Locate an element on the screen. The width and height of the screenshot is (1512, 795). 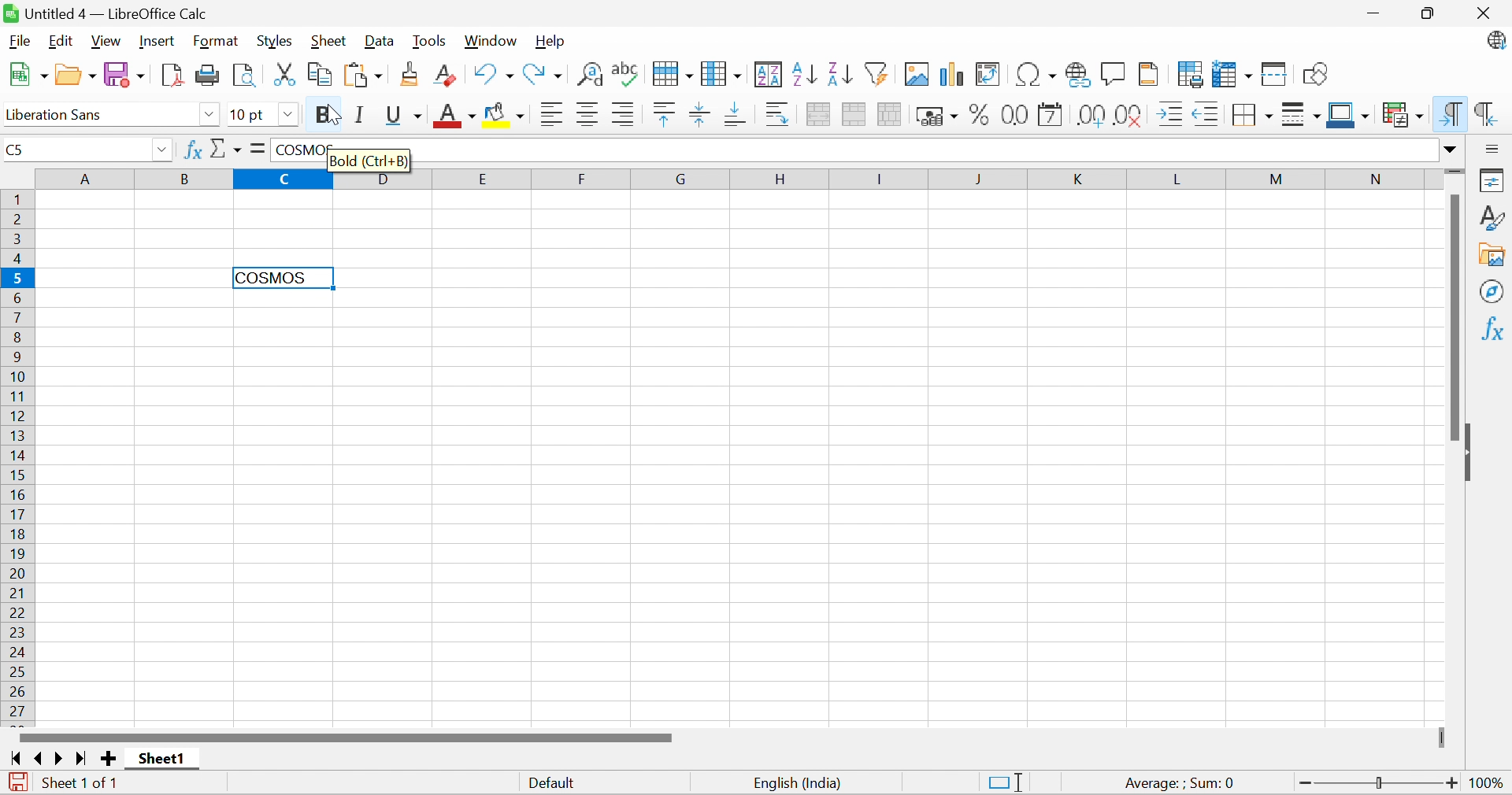
Right-To-Left is located at coordinates (1488, 113).